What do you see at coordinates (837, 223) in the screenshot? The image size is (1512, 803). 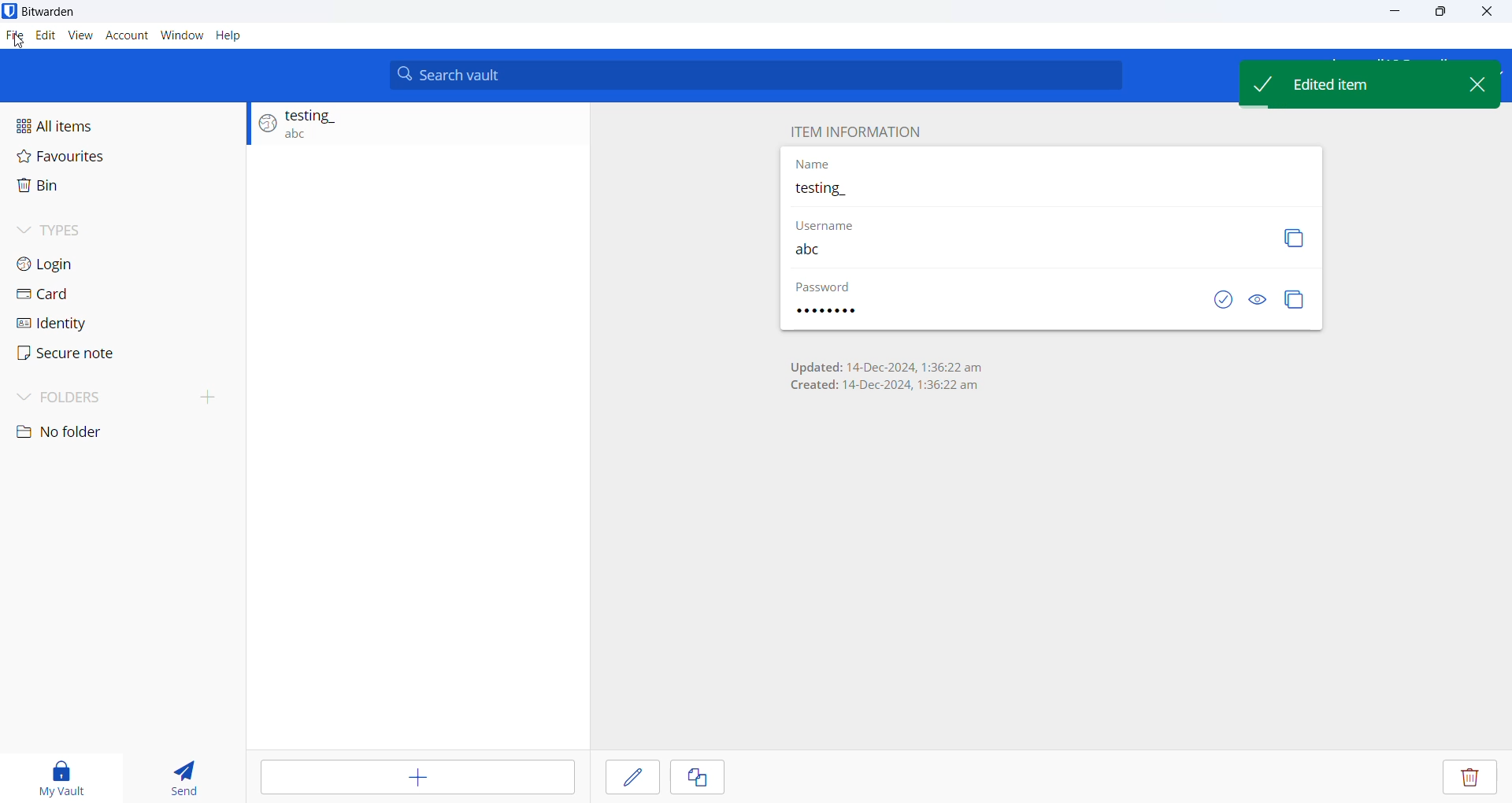 I see `Username heading` at bounding box center [837, 223].